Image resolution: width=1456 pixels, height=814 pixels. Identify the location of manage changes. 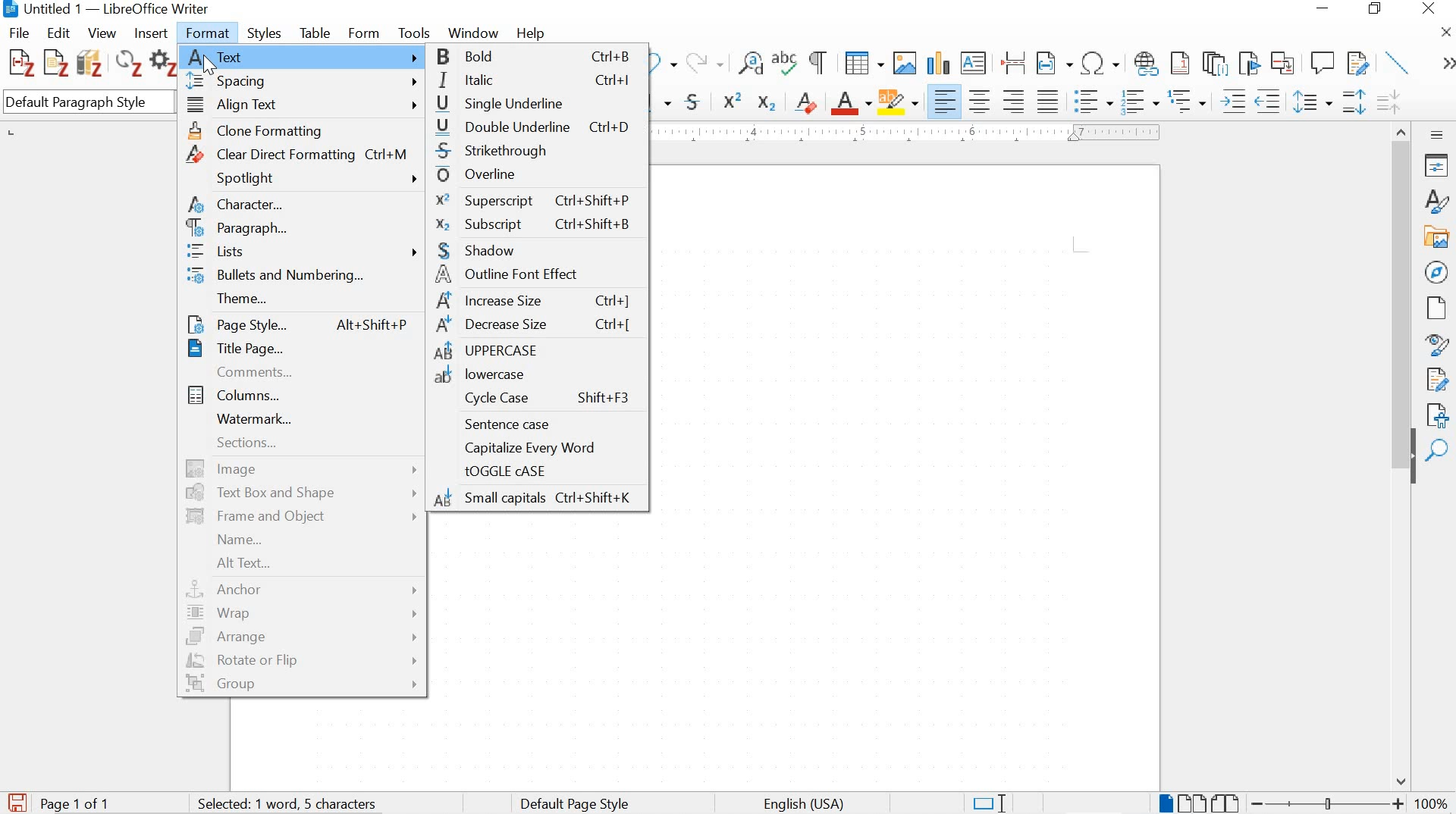
(1438, 380).